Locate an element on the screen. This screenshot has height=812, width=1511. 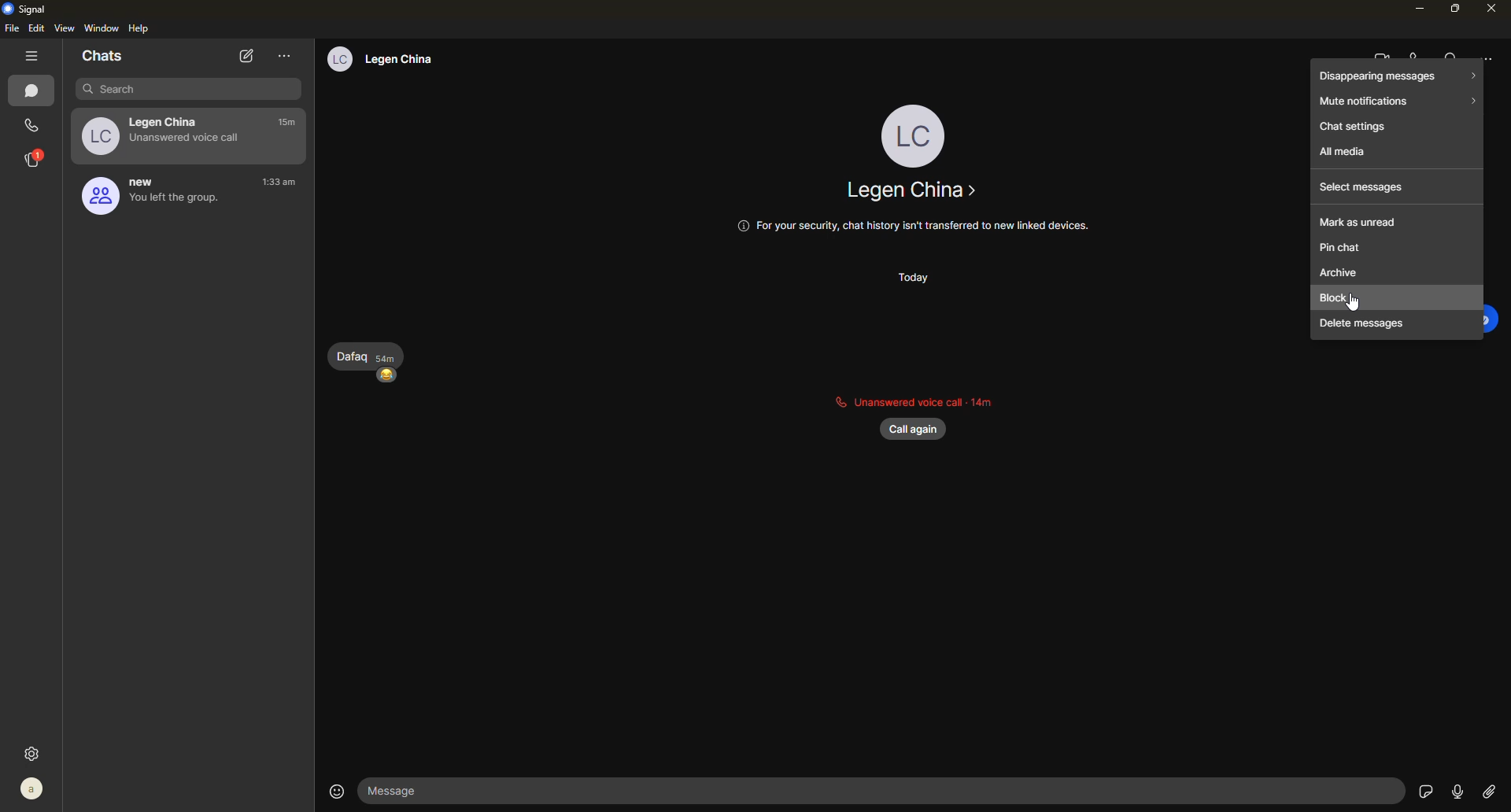
chat settings is located at coordinates (1354, 127).